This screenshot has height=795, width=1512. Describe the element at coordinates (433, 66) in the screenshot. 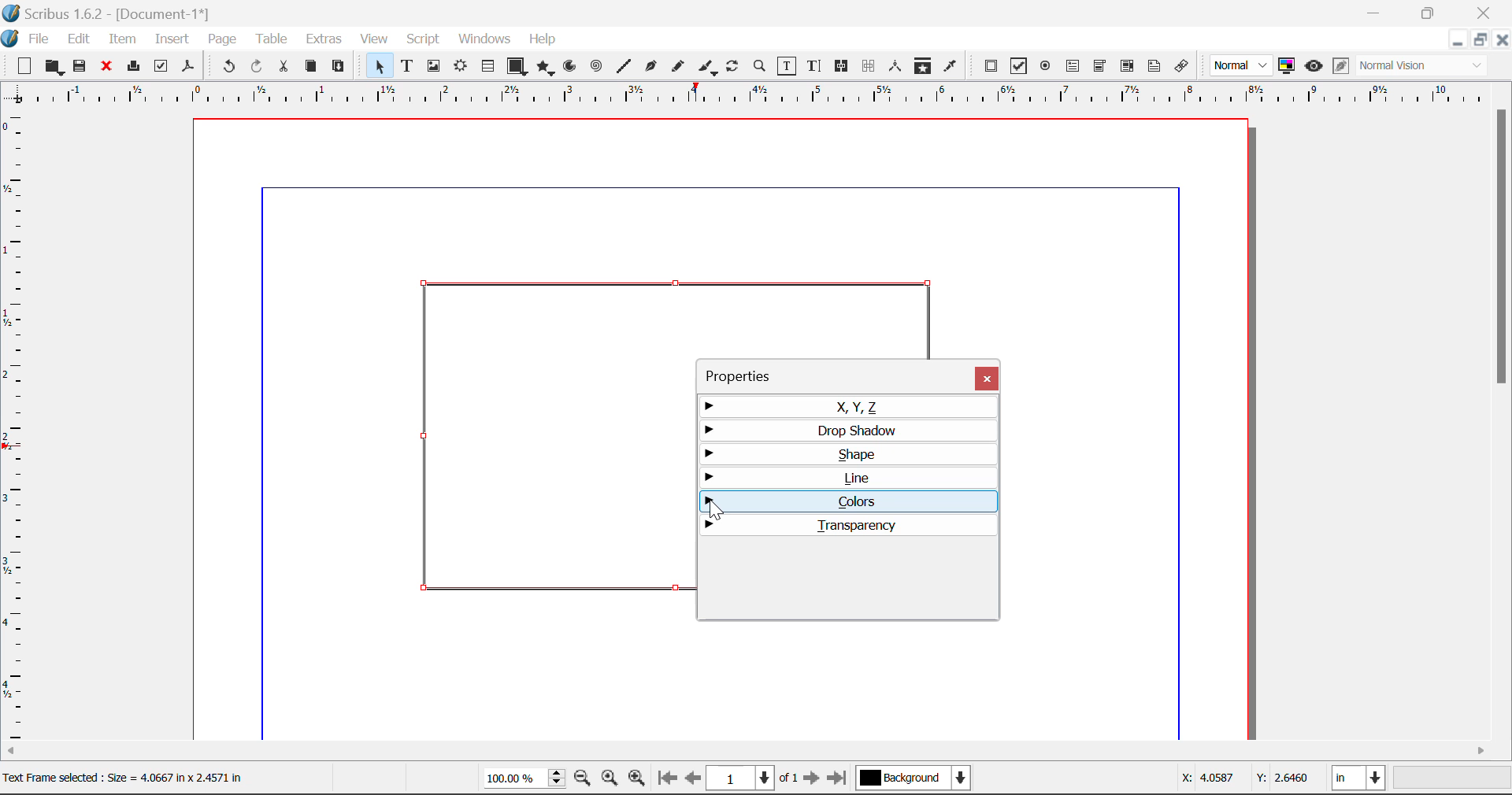

I see `Image Frame` at that location.